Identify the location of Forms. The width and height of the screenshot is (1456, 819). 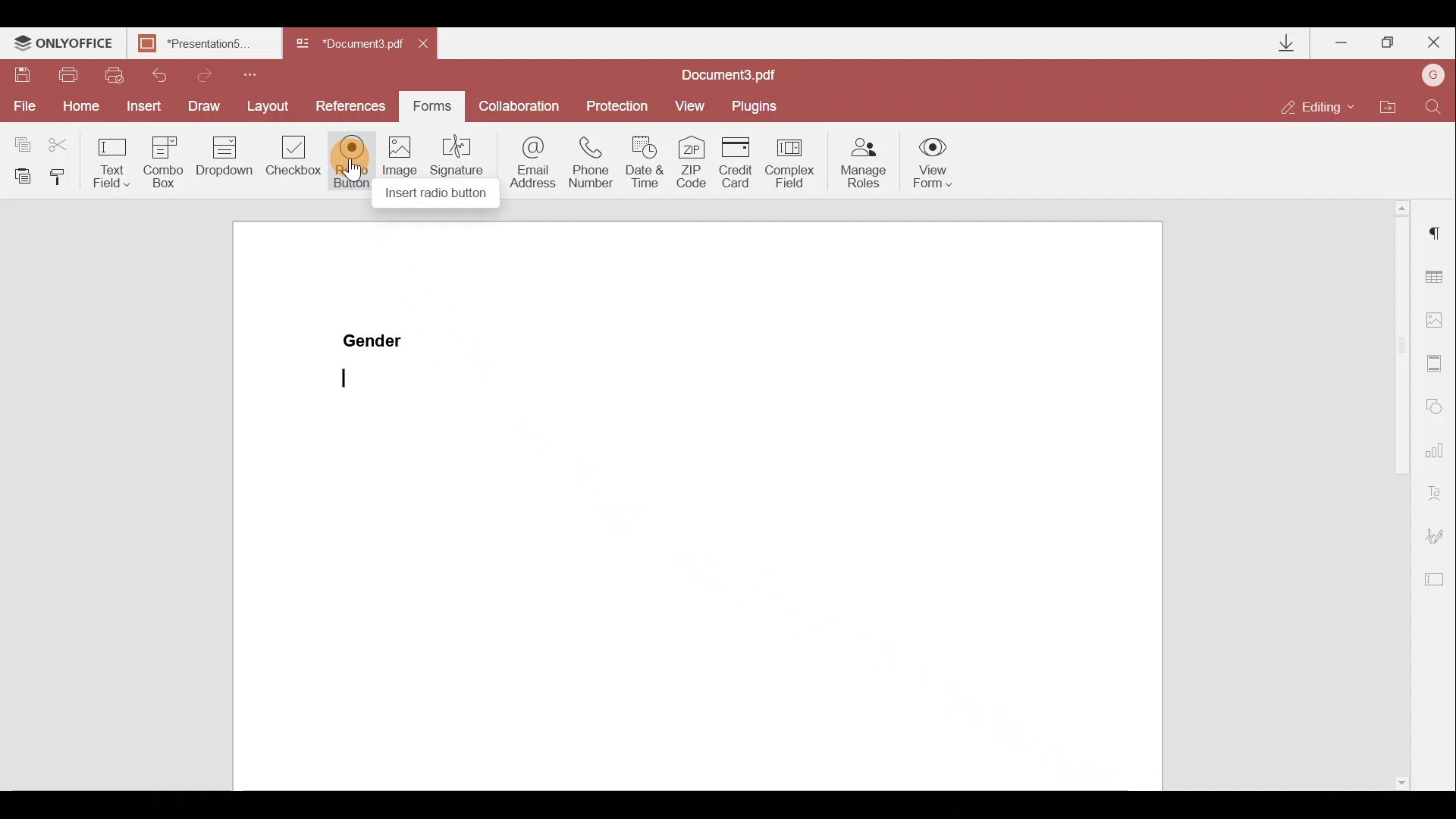
(436, 106).